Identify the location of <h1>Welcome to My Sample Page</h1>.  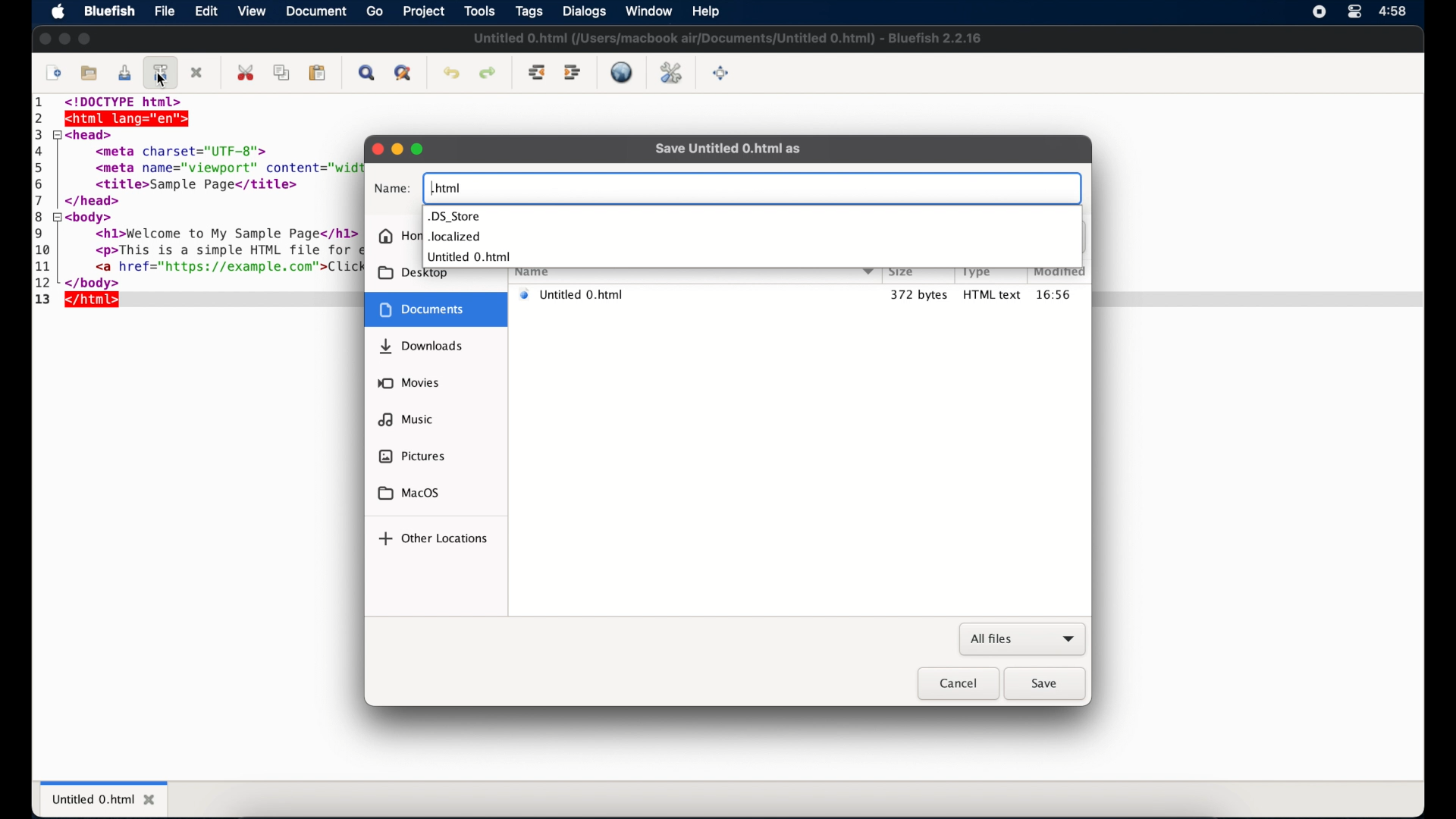
(215, 235).